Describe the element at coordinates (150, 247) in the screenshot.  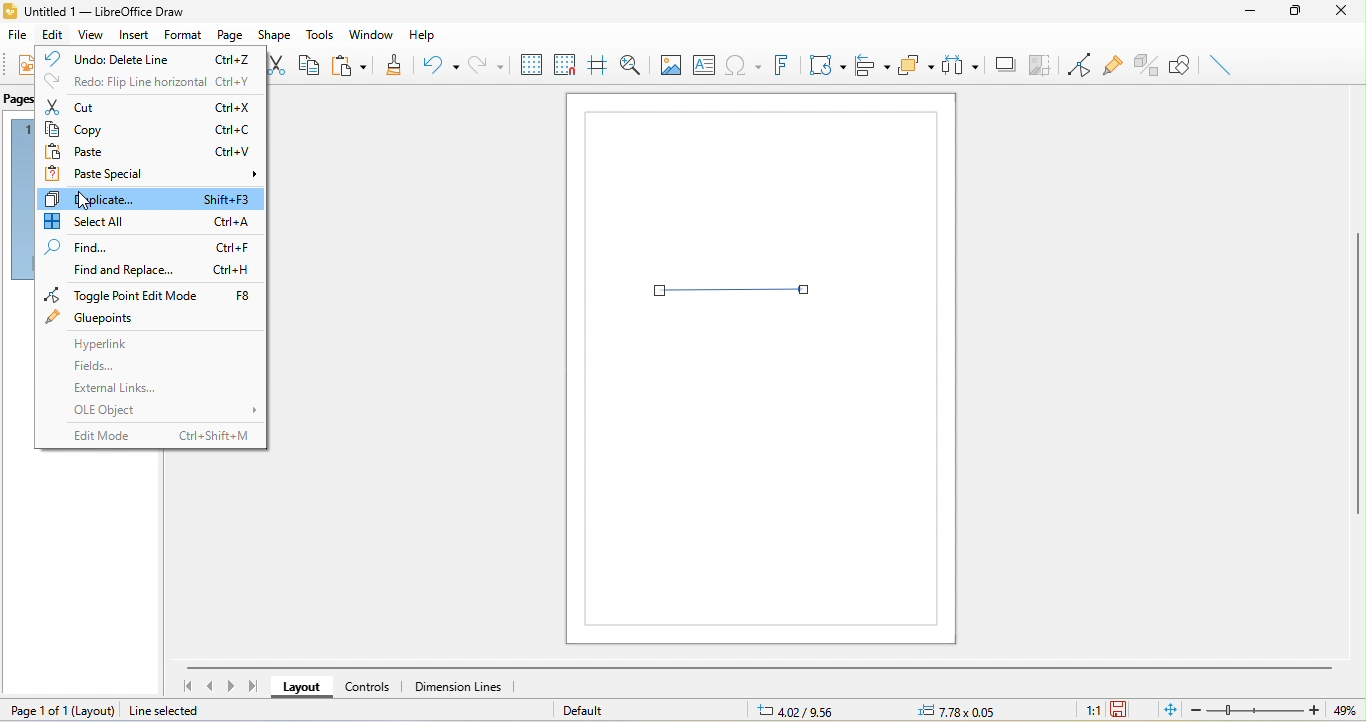
I see `find` at that location.